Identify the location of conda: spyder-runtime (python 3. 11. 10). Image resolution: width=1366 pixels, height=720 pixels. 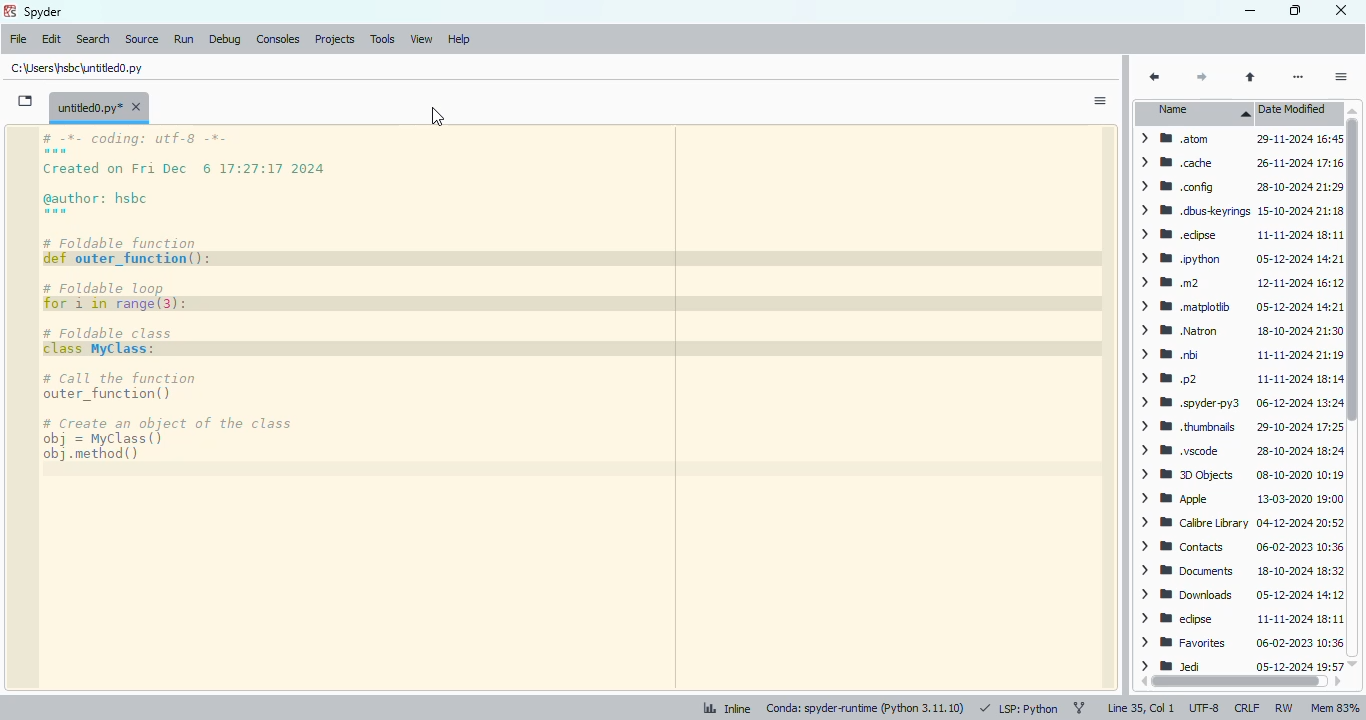
(866, 707).